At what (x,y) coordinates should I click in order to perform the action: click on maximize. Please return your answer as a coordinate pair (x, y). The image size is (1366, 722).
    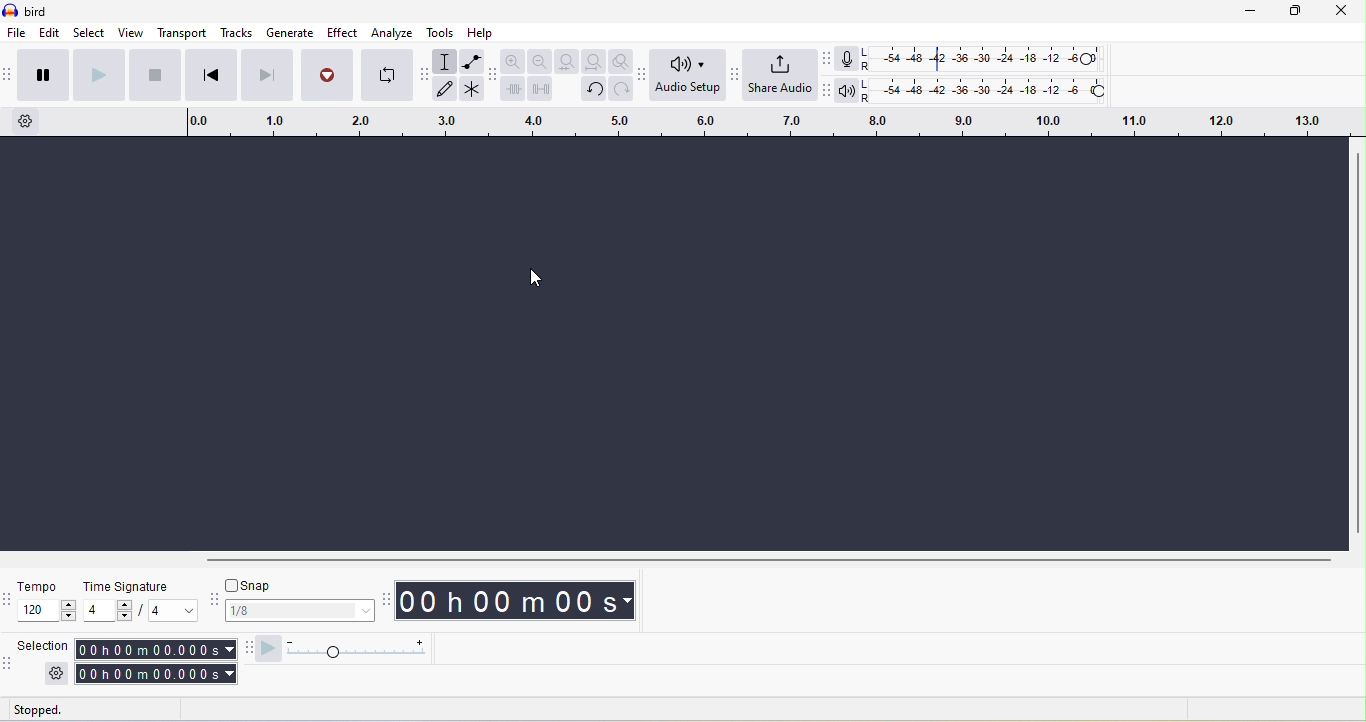
    Looking at the image, I should click on (1296, 12).